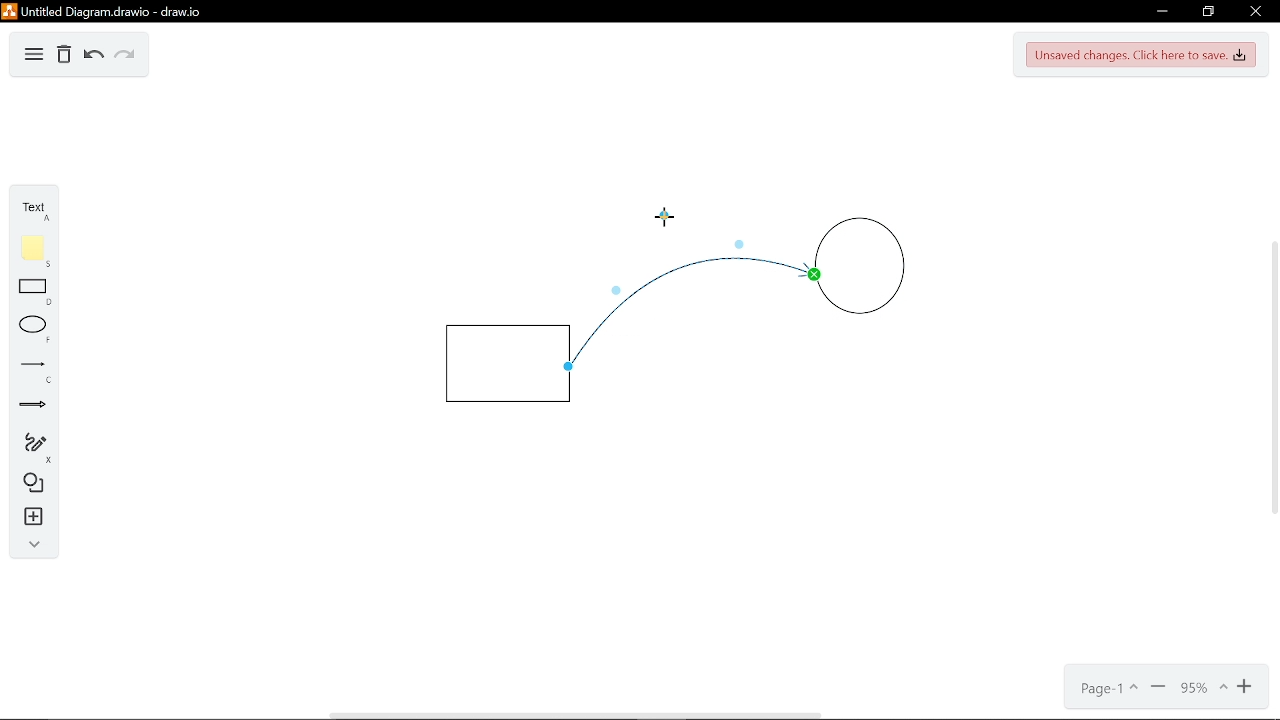 Image resolution: width=1280 pixels, height=720 pixels. Describe the element at coordinates (1159, 689) in the screenshot. I see `Minimize` at that location.